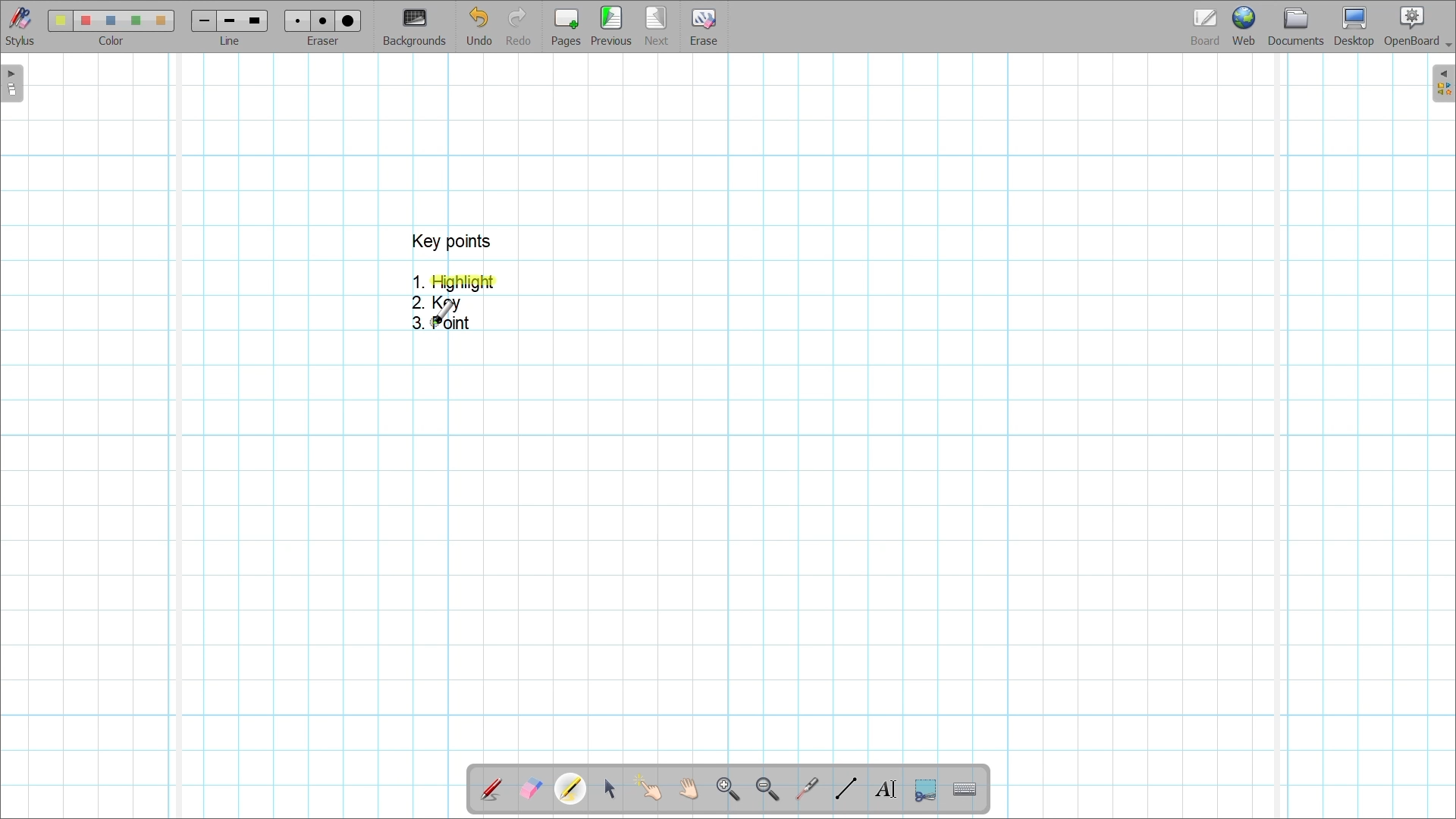  I want to click on eraser 3, so click(349, 20).